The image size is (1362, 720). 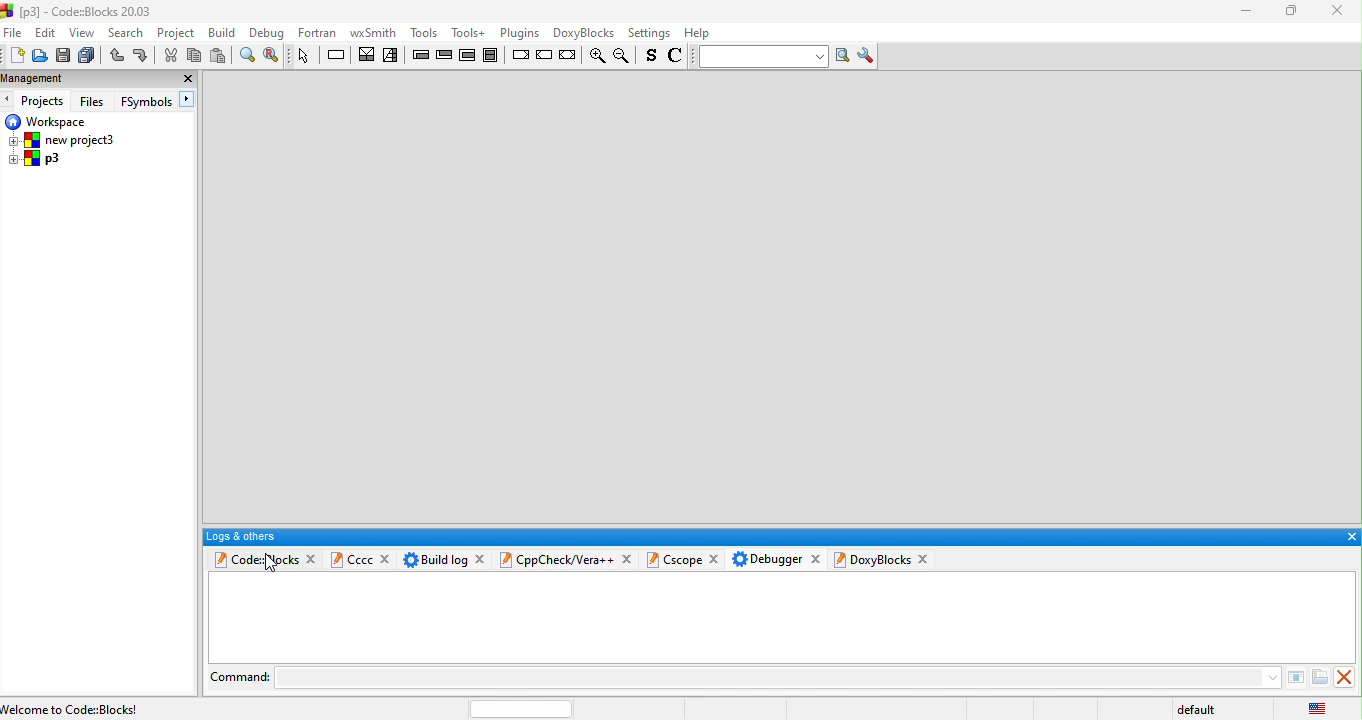 I want to click on maximize, so click(x=1286, y=12).